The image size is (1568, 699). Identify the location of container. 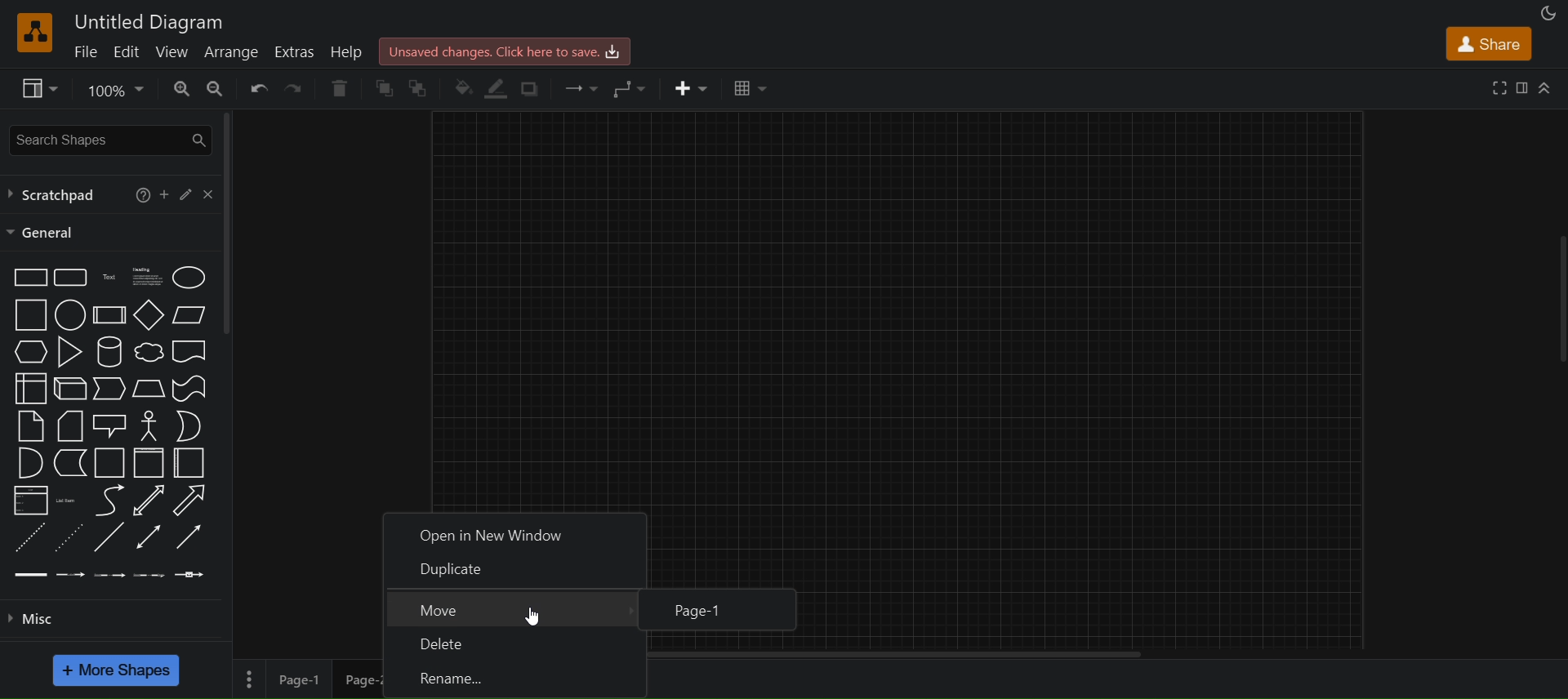
(109, 463).